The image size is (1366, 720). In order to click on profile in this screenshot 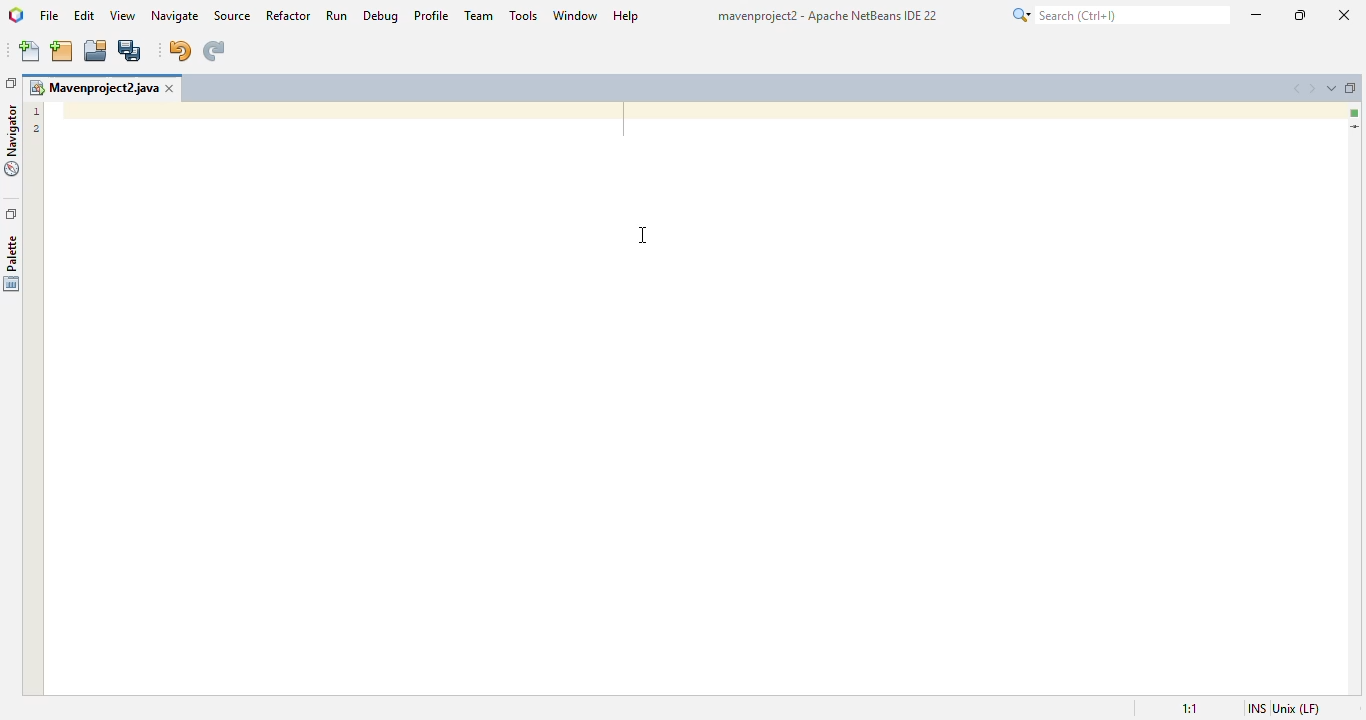, I will do `click(433, 16)`.